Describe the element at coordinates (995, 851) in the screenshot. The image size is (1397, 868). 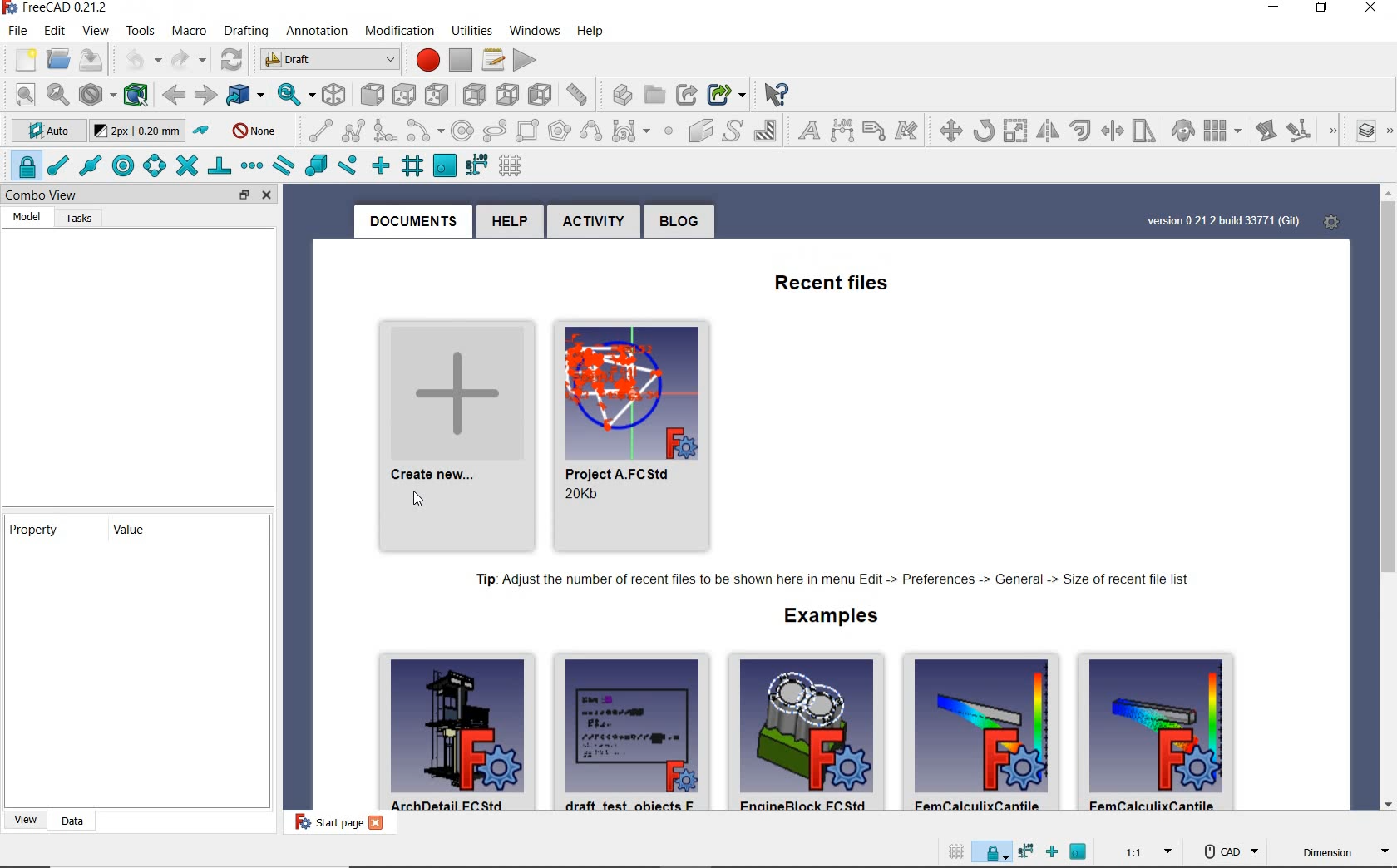
I see `` at that location.